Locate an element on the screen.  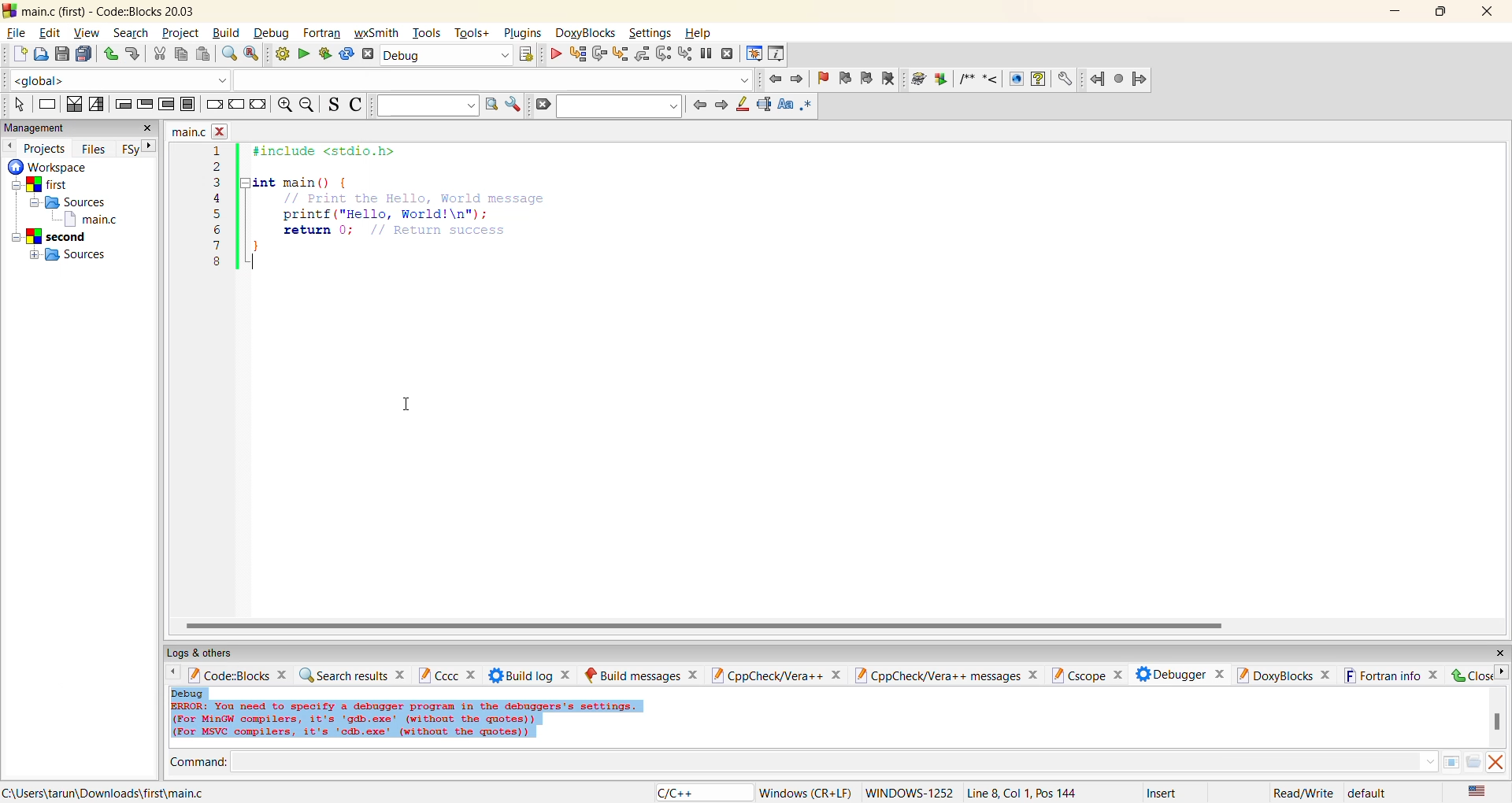
toggle bookmarks is located at coordinates (825, 78).